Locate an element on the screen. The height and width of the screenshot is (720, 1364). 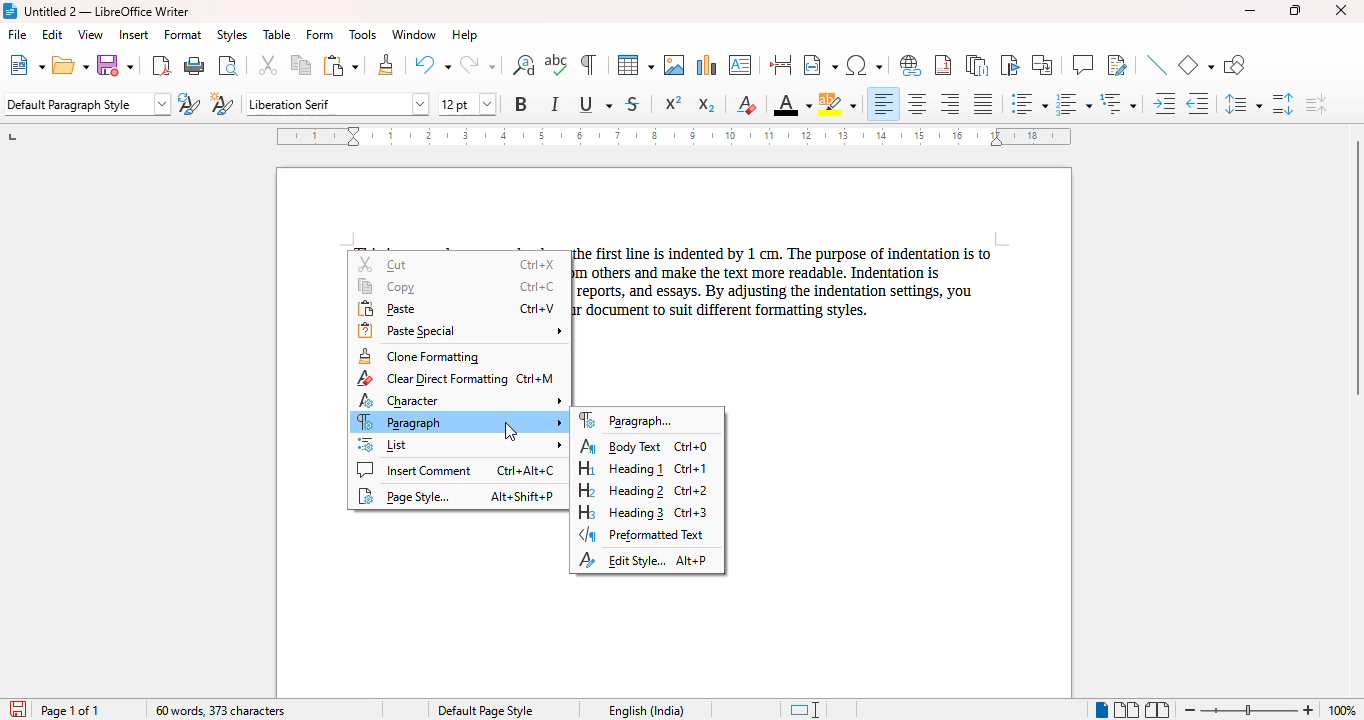
copy is located at coordinates (302, 65).